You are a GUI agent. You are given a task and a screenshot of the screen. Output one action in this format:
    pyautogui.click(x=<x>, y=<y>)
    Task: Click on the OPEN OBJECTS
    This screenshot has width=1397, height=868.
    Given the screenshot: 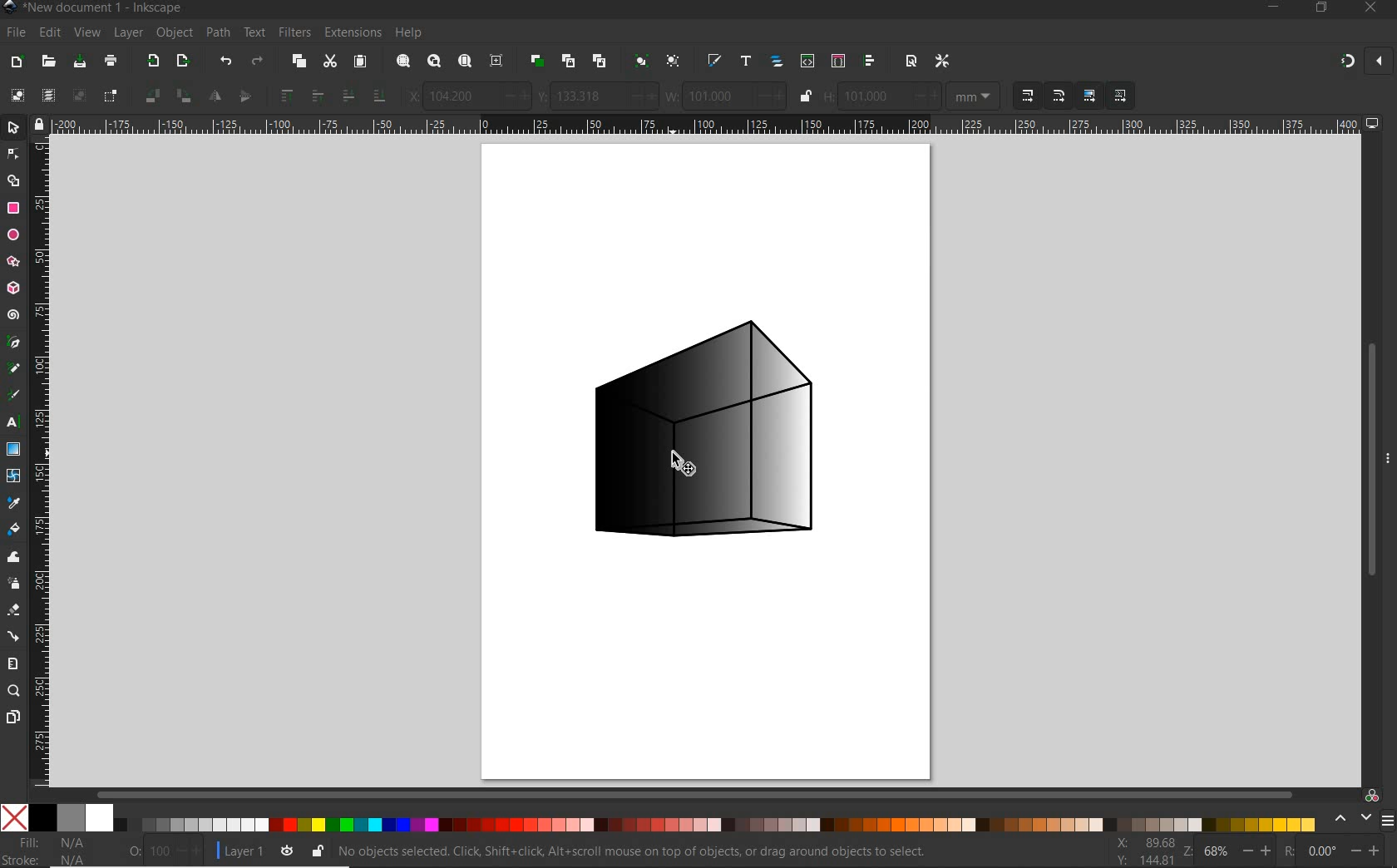 What is the action you would take?
    pyautogui.click(x=777, y=62)
    